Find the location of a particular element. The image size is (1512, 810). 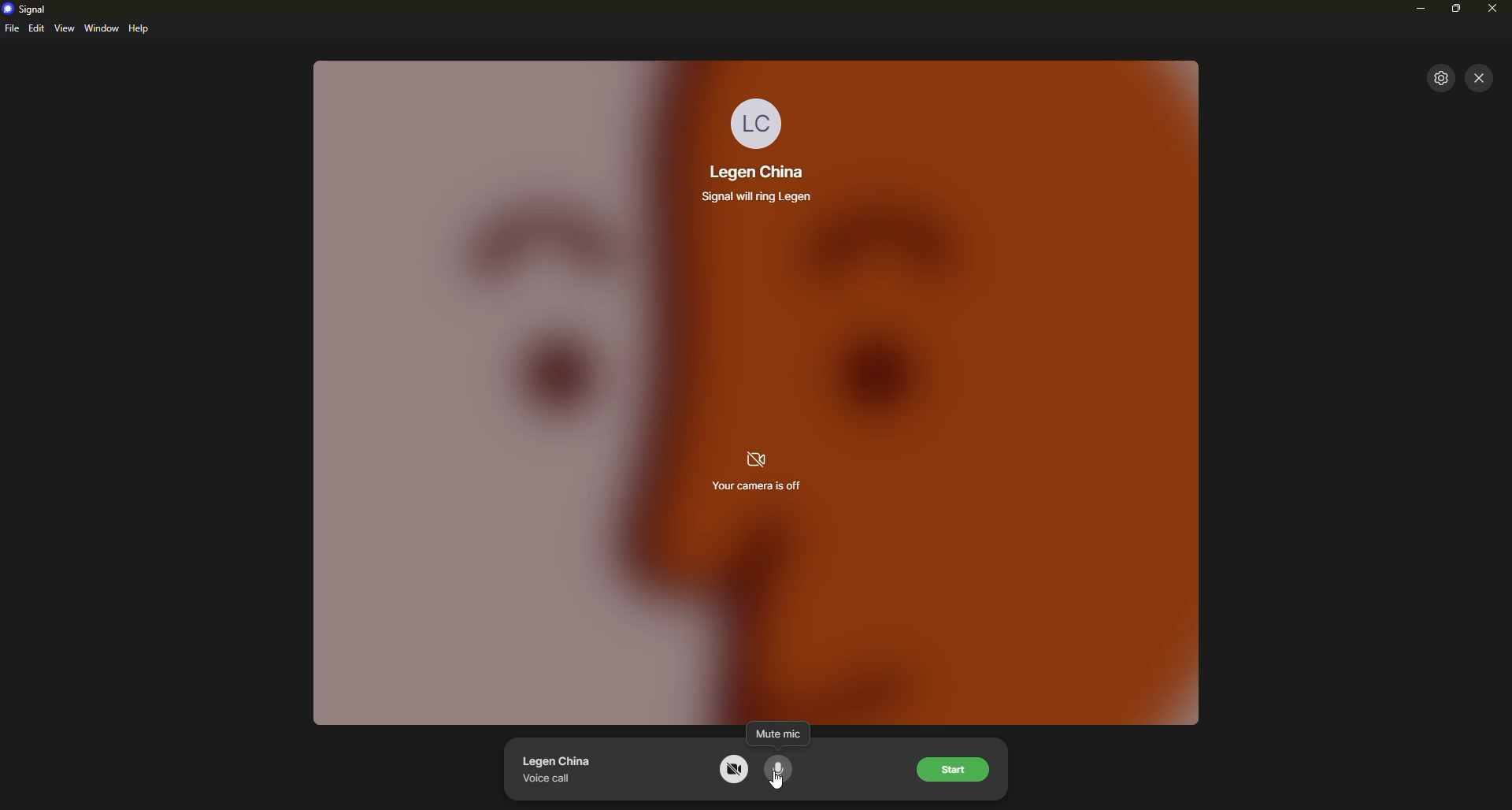

start is located at coordinates (955, 771).